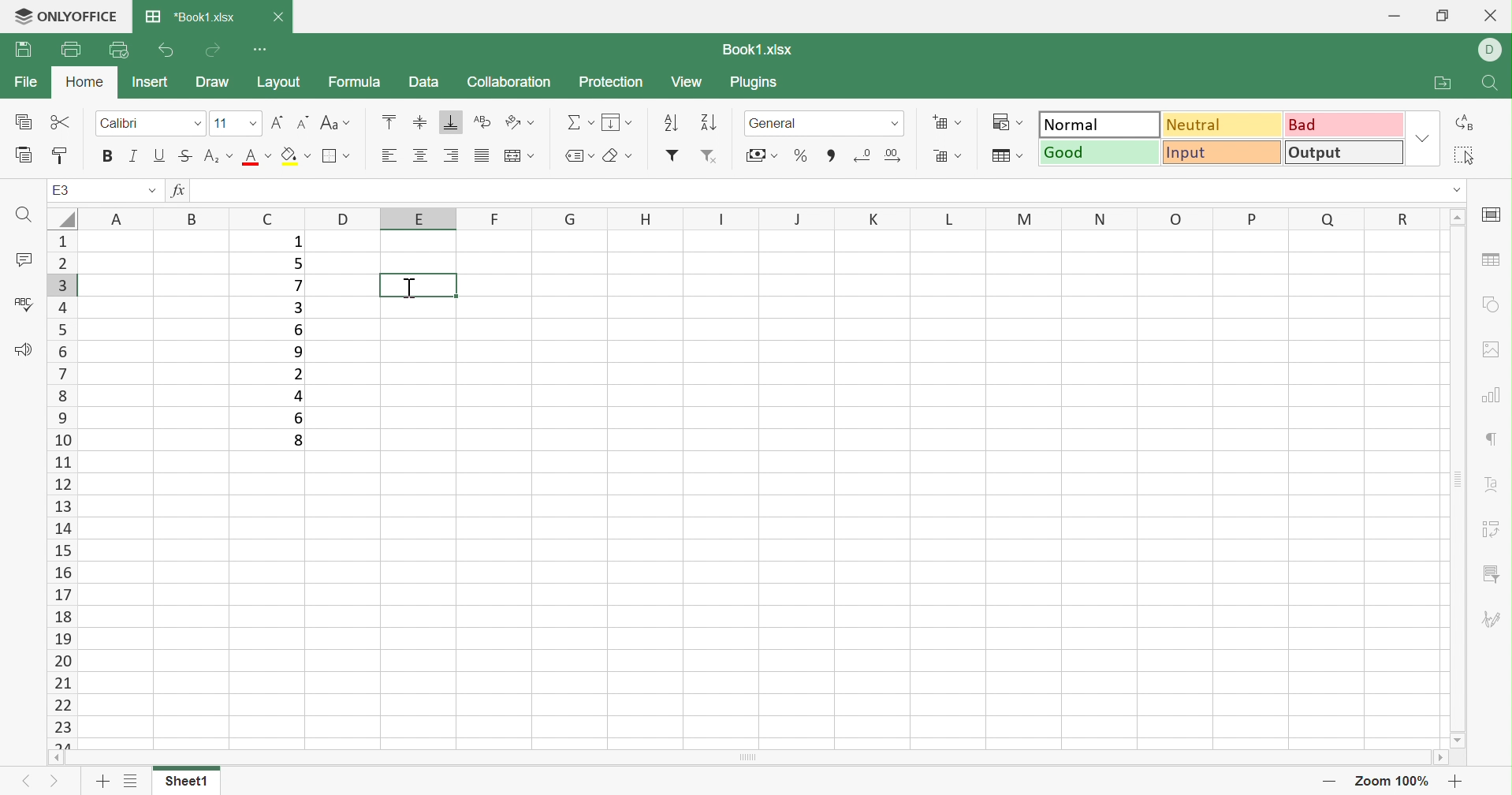 The image size is (1512, 795). Describe the element at coordinates (764, 157) in the screenshot. I see `Accounting style` at that location.